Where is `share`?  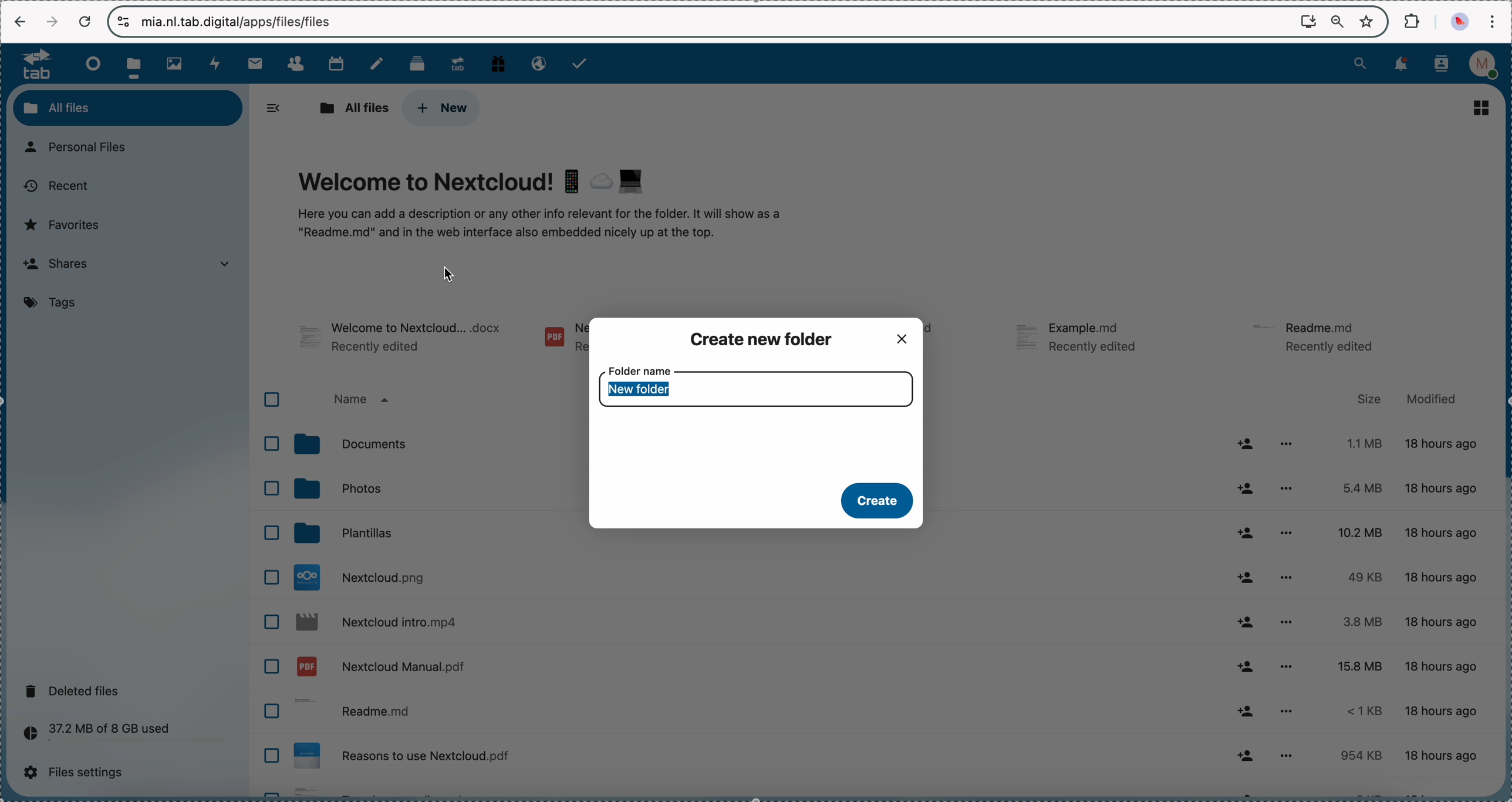 share is located at coordinates (1247, 579).